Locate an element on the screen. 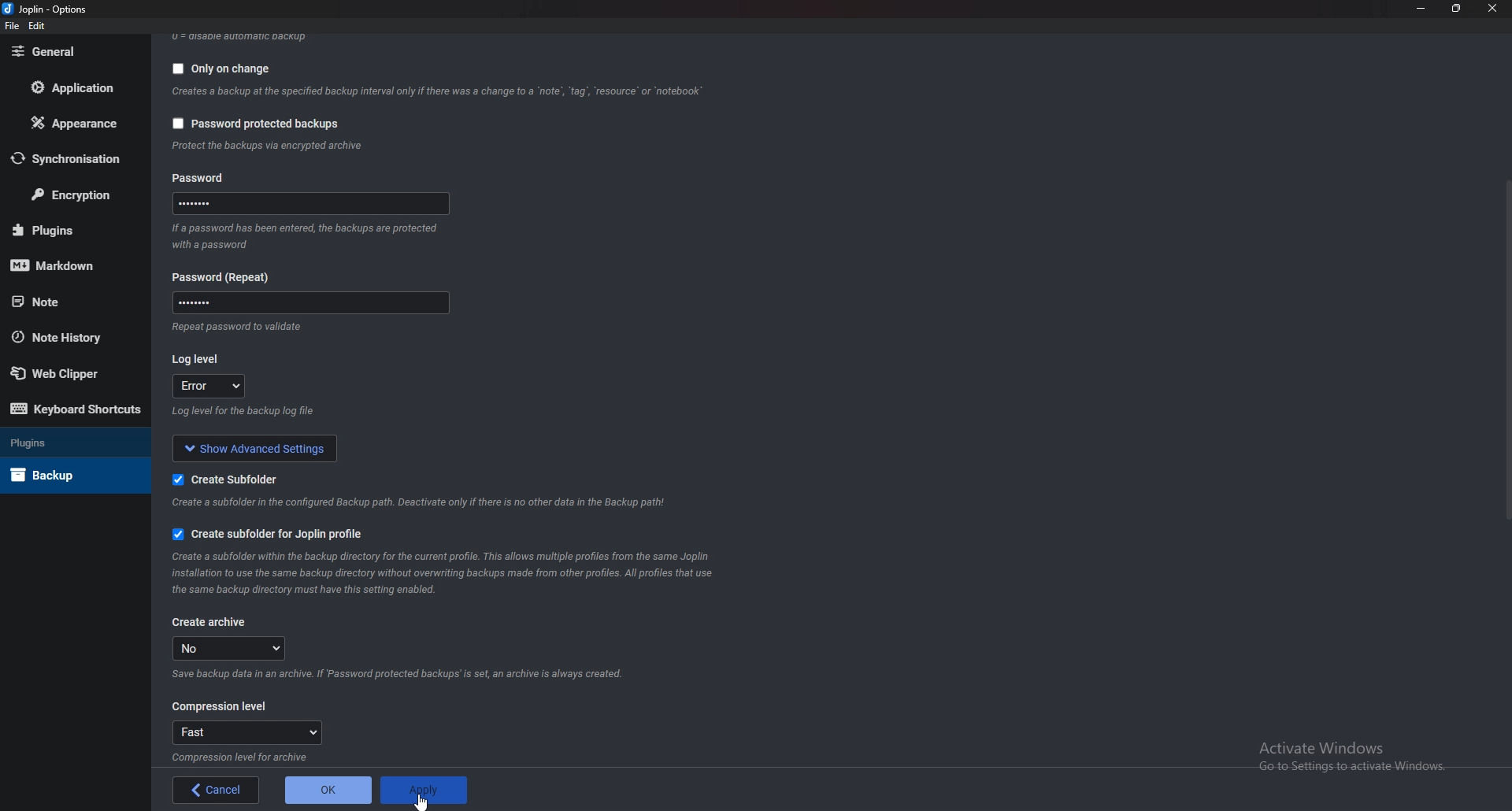 The image size is (1512, 811). Info on archive is located at coordinates (402, 674).